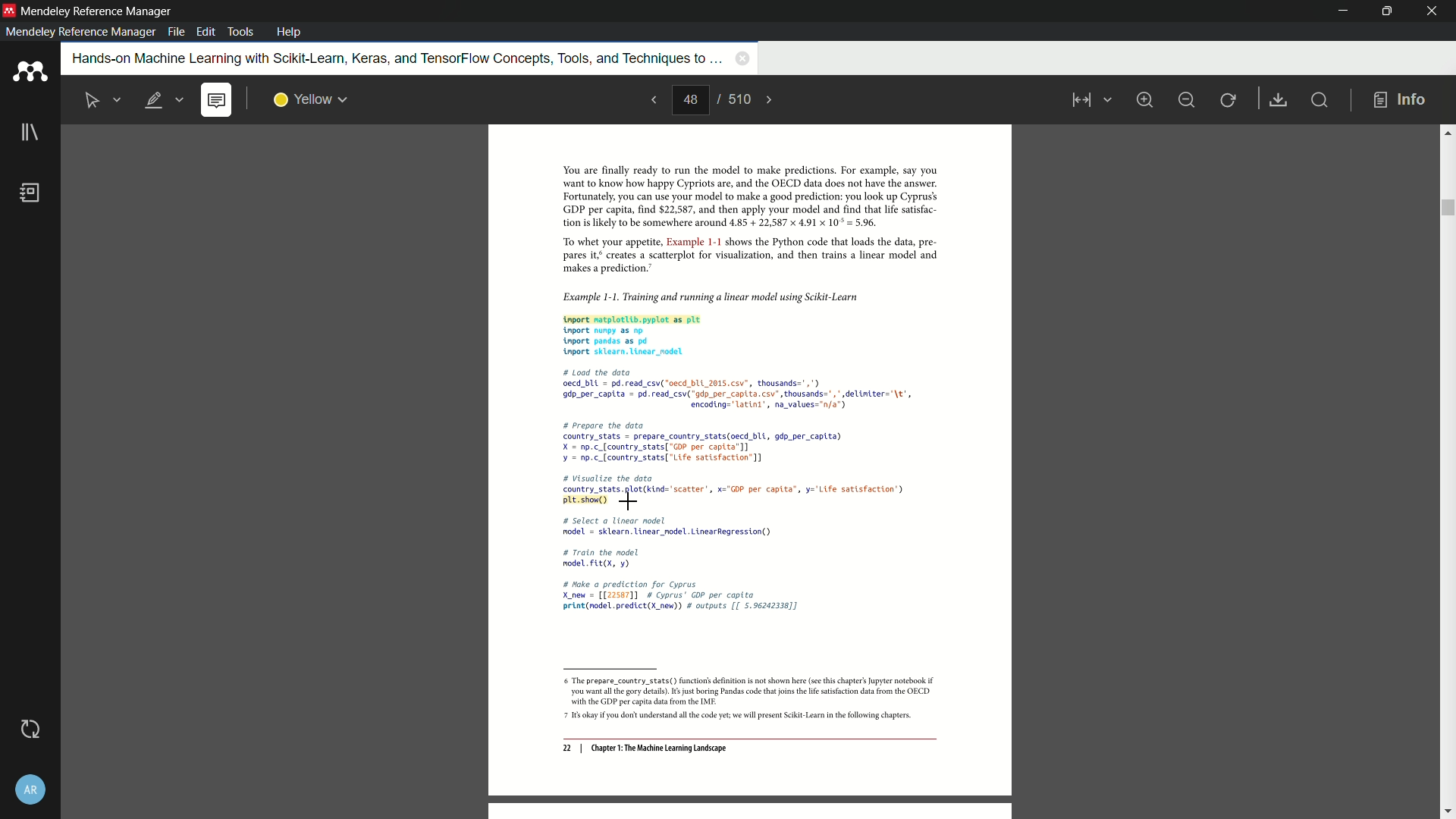 This screenshot has width=1456, height=819. What do you see at coordinates (215, 101) in the screenshot?
I see `add note` at bounding box center [215, 101].